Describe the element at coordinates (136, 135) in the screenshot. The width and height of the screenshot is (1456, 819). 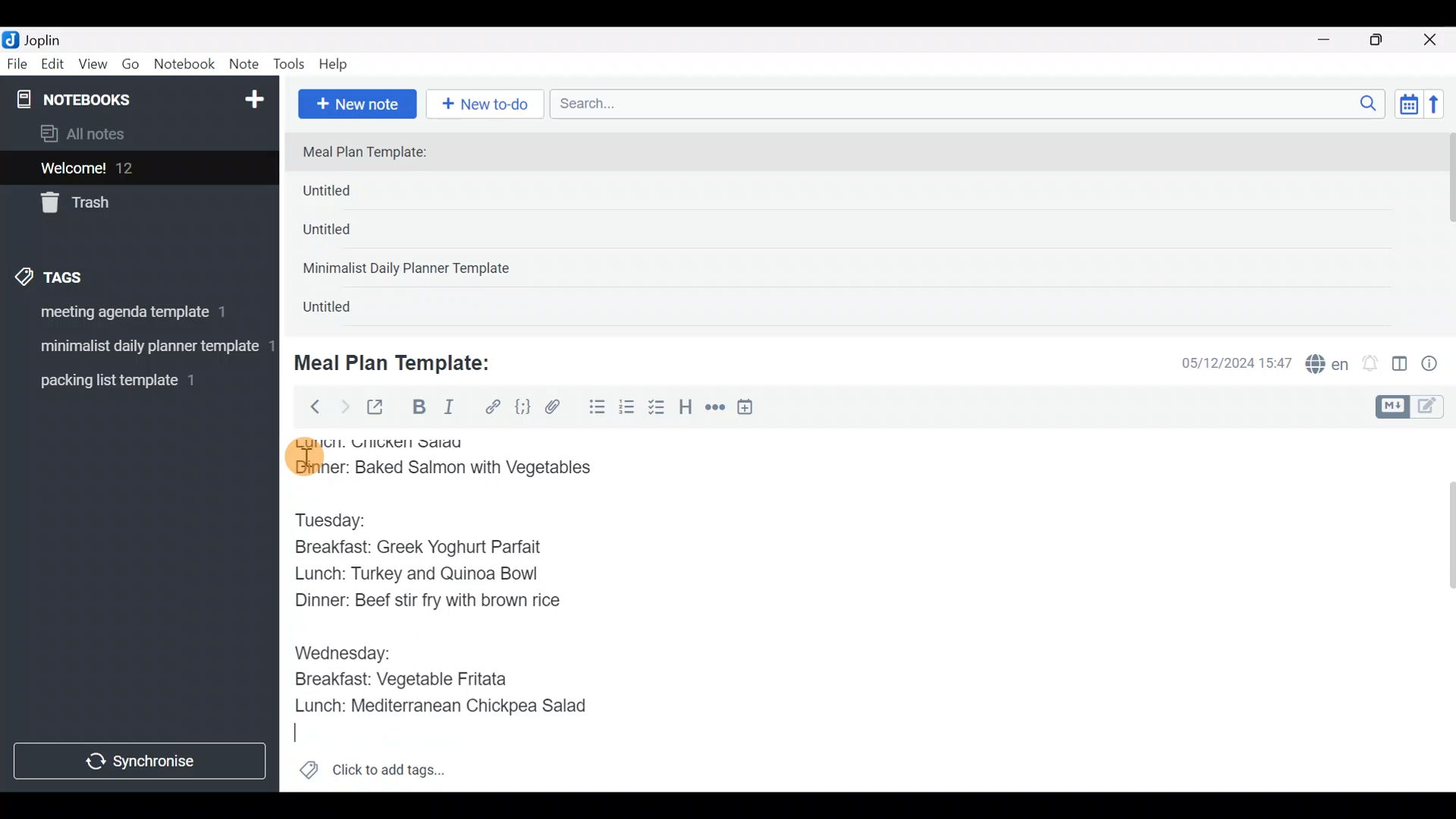
I see `All notes` at that location.